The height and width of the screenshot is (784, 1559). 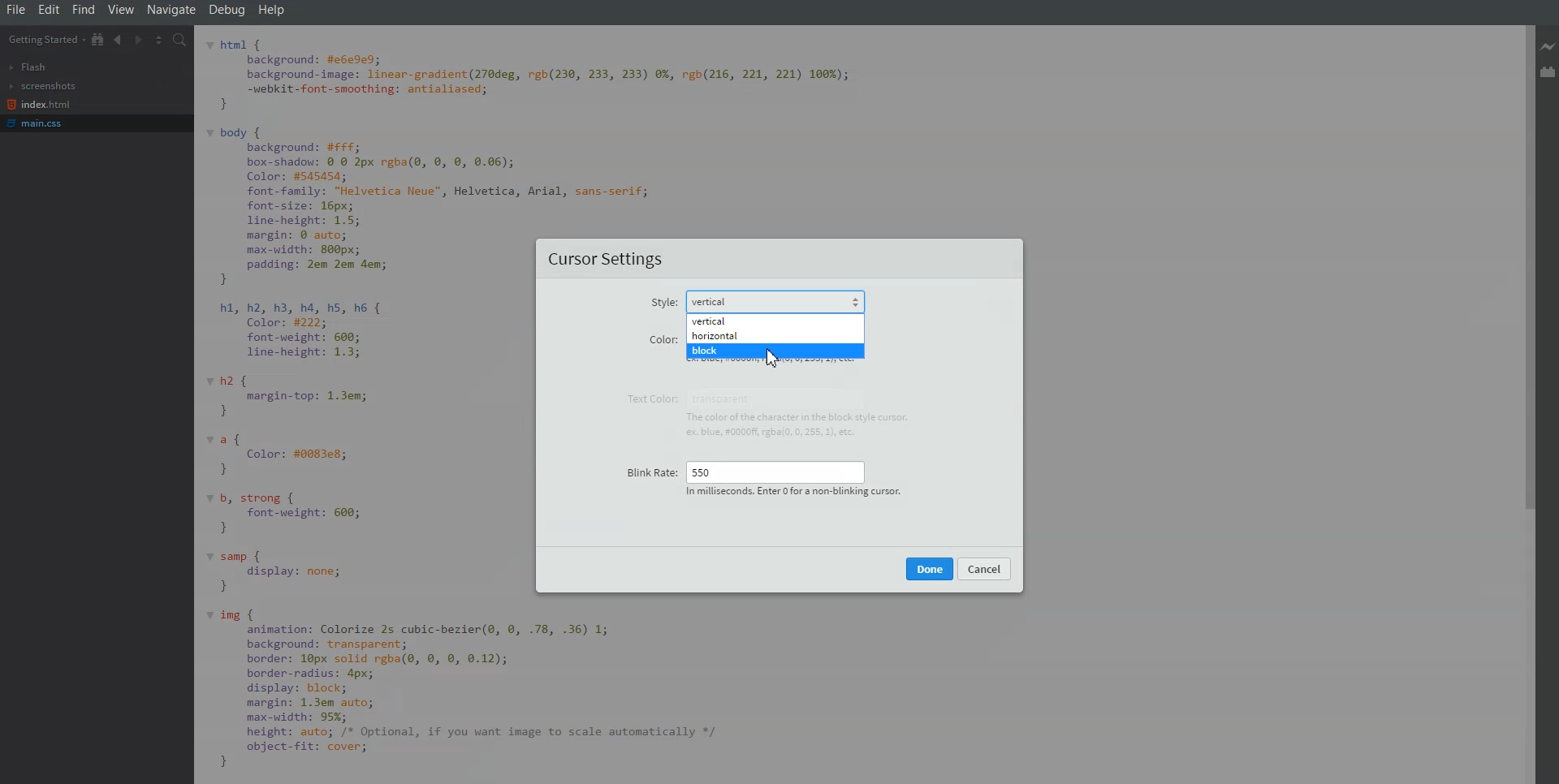 What do you see at coordinates (138, 39) in the screenshot?
I see `Navigate Forwards` at bounding box center [138, 39].